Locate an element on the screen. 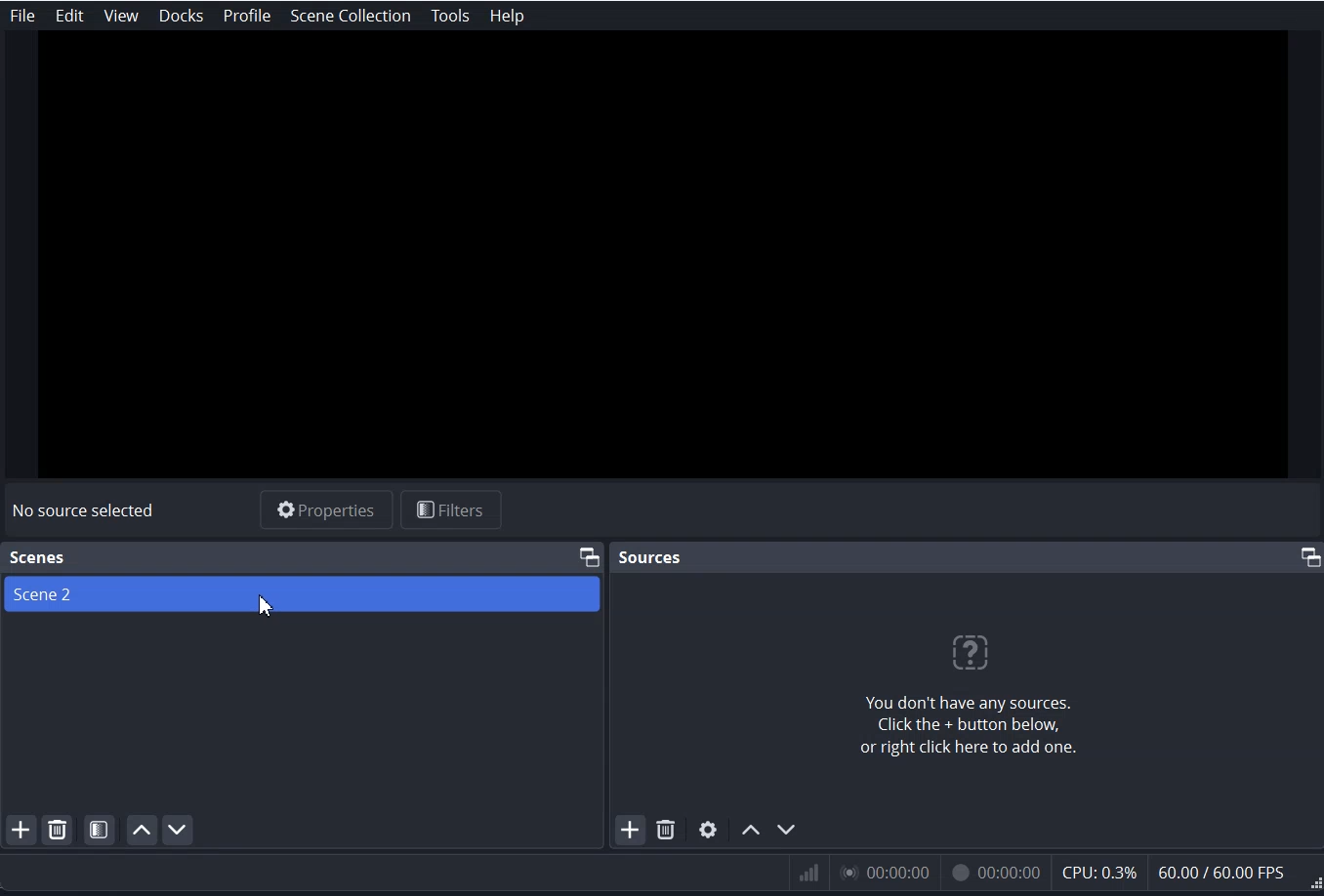  Preview Window is located at coordinates (661, 262).